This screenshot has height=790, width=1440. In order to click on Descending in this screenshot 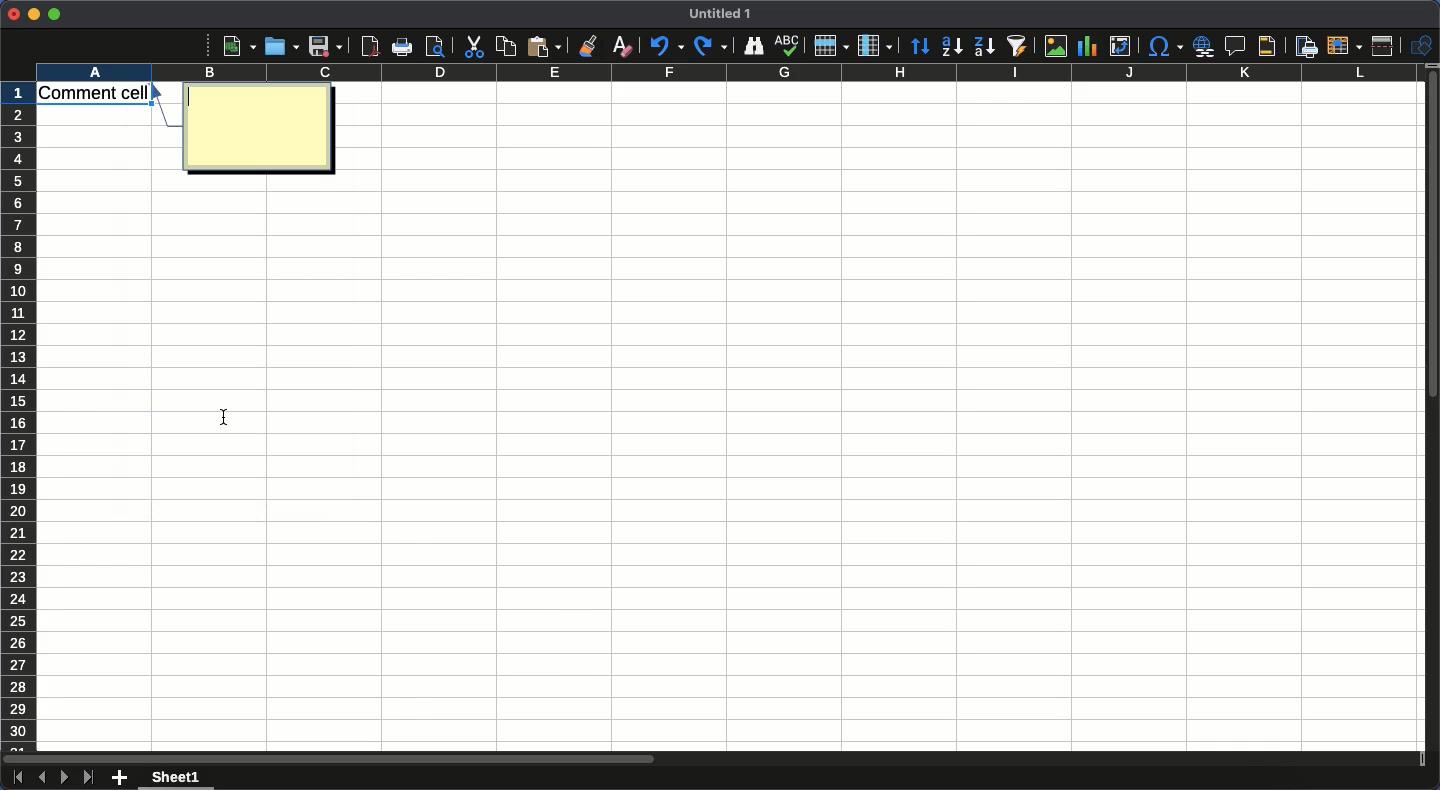, I will do `click(982, 45)`.